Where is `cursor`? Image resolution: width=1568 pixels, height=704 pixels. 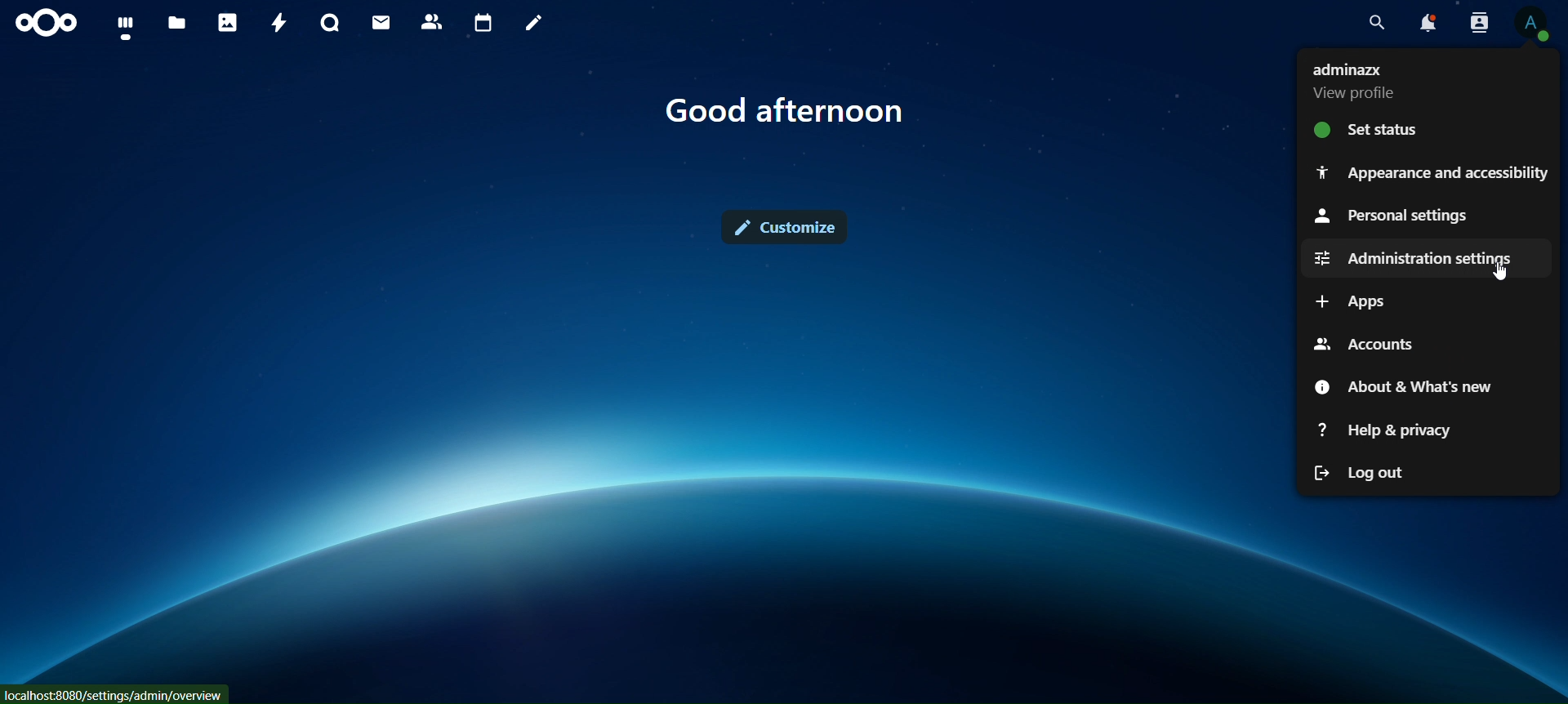
cursor is located at coordinates (1504, 273).